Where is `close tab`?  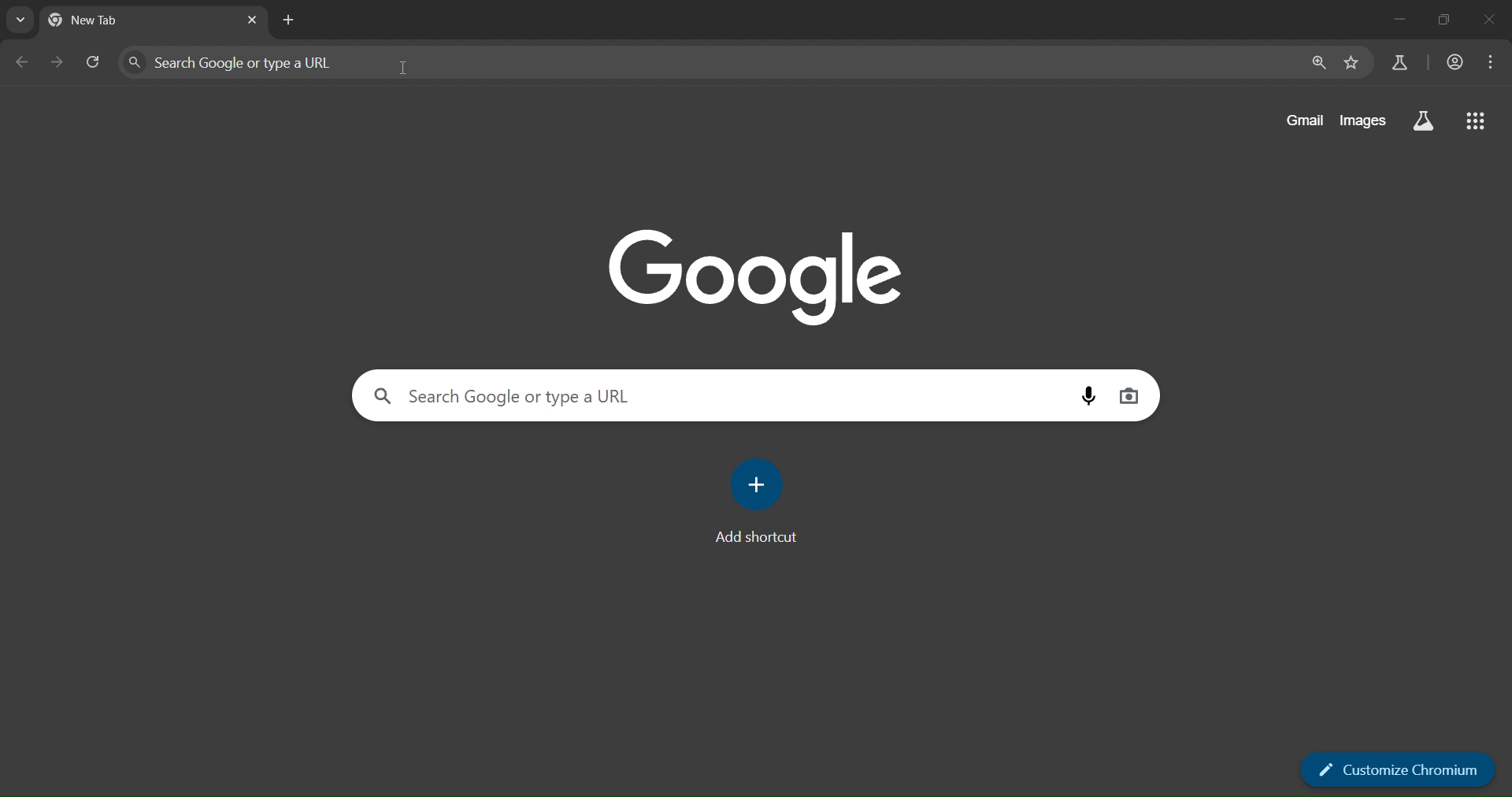 close tab is located at coordinates (251, 20).